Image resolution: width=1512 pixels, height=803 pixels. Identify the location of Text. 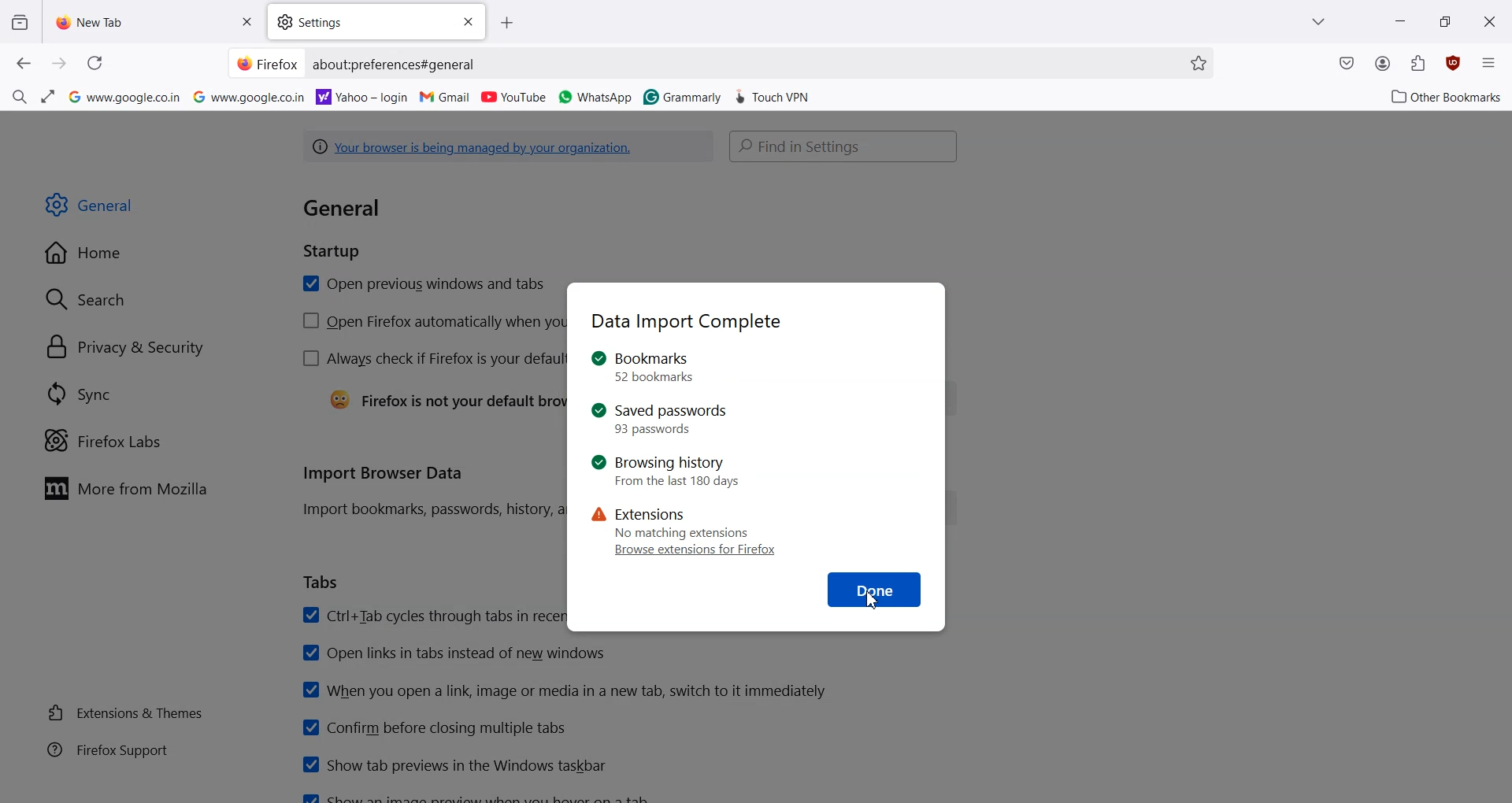
(358, 227).